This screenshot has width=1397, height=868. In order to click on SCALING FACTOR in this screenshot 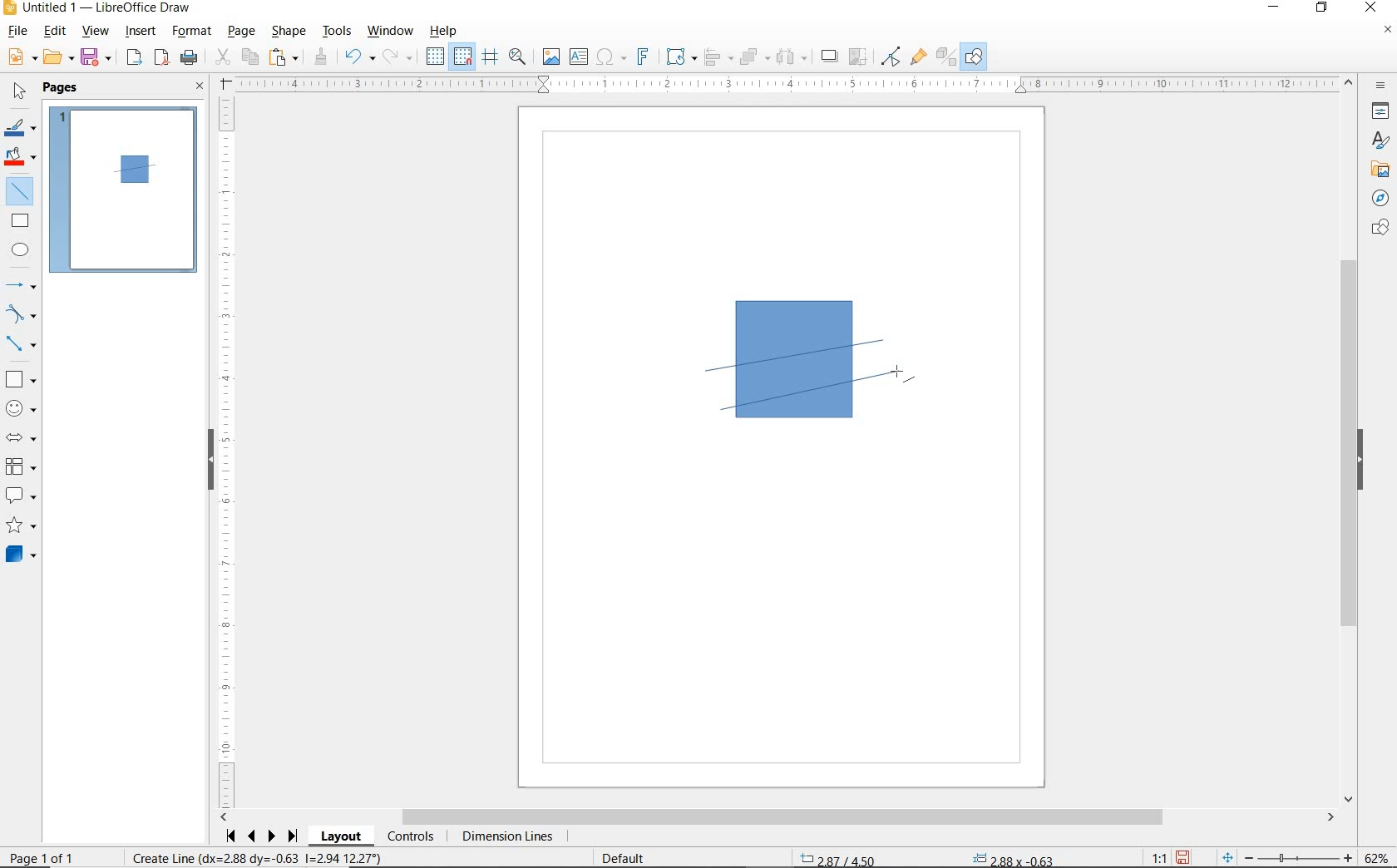, I will do `click(1153, 854)`.